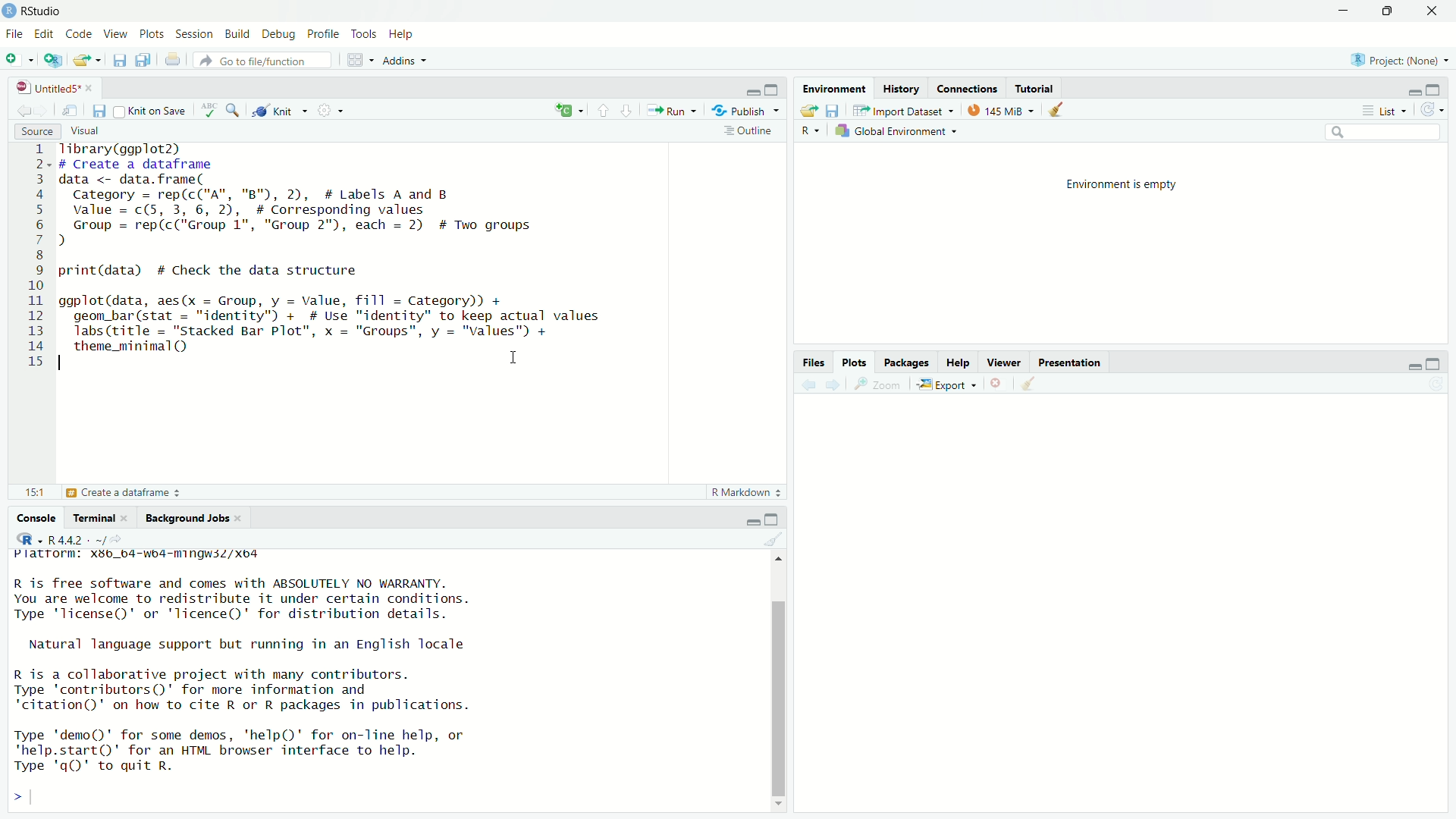 The image size is (1456, 819). Describe the element at coordinates (904, 110) in the screenshot. I see `Import Dataset` at that location.